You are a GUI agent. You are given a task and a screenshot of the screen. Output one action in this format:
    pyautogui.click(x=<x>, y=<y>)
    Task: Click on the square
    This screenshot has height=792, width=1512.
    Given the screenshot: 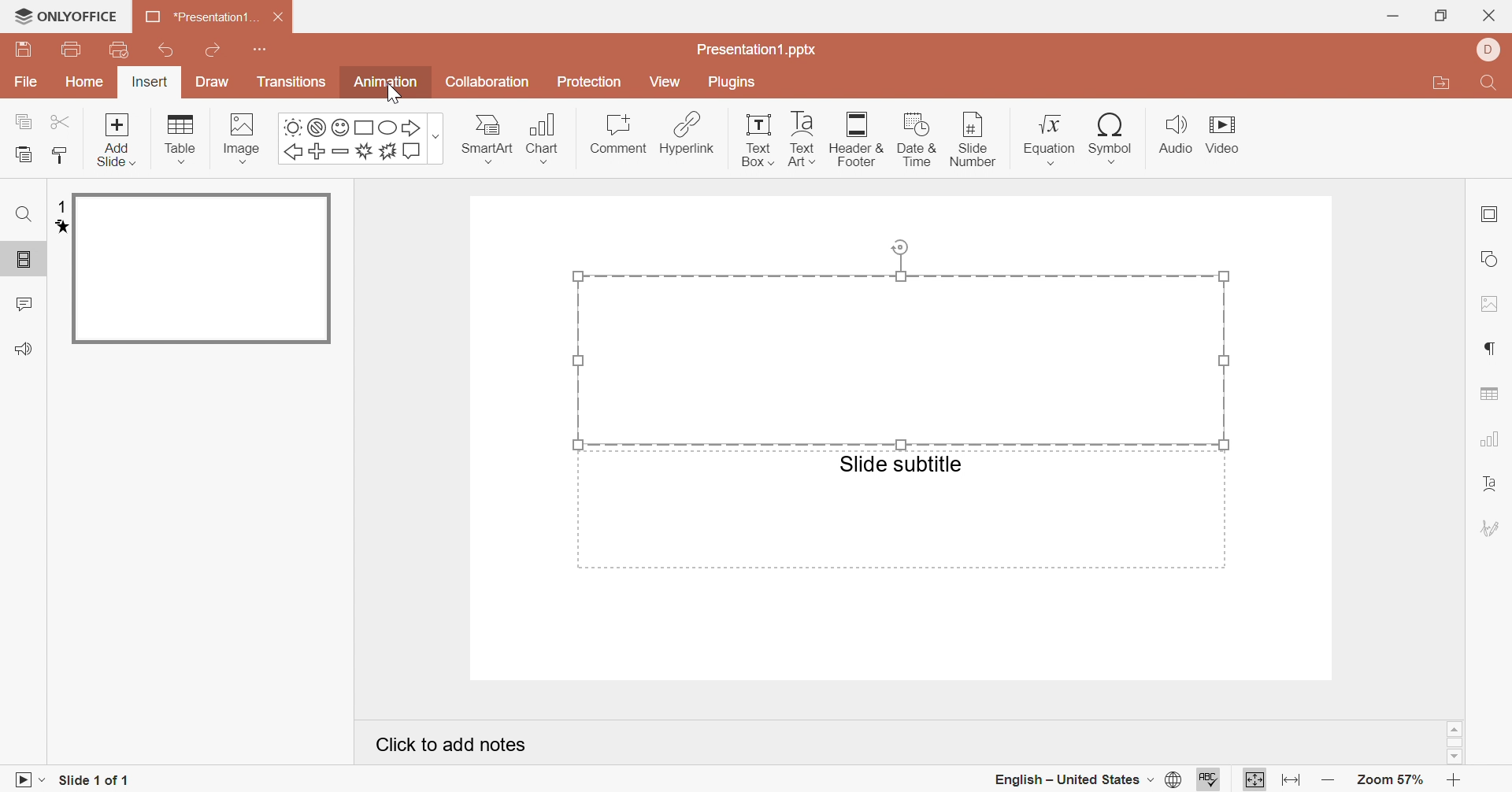 What is the action you would take?
    pyautogui.click(x=387, y=124)
    